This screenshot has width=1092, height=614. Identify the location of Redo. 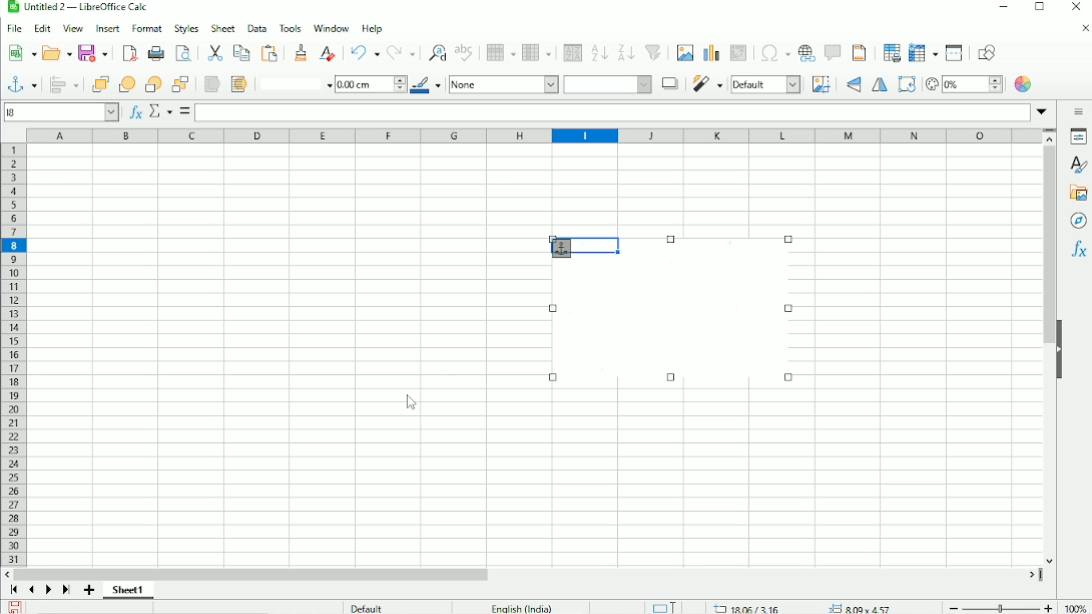
(402, 52).